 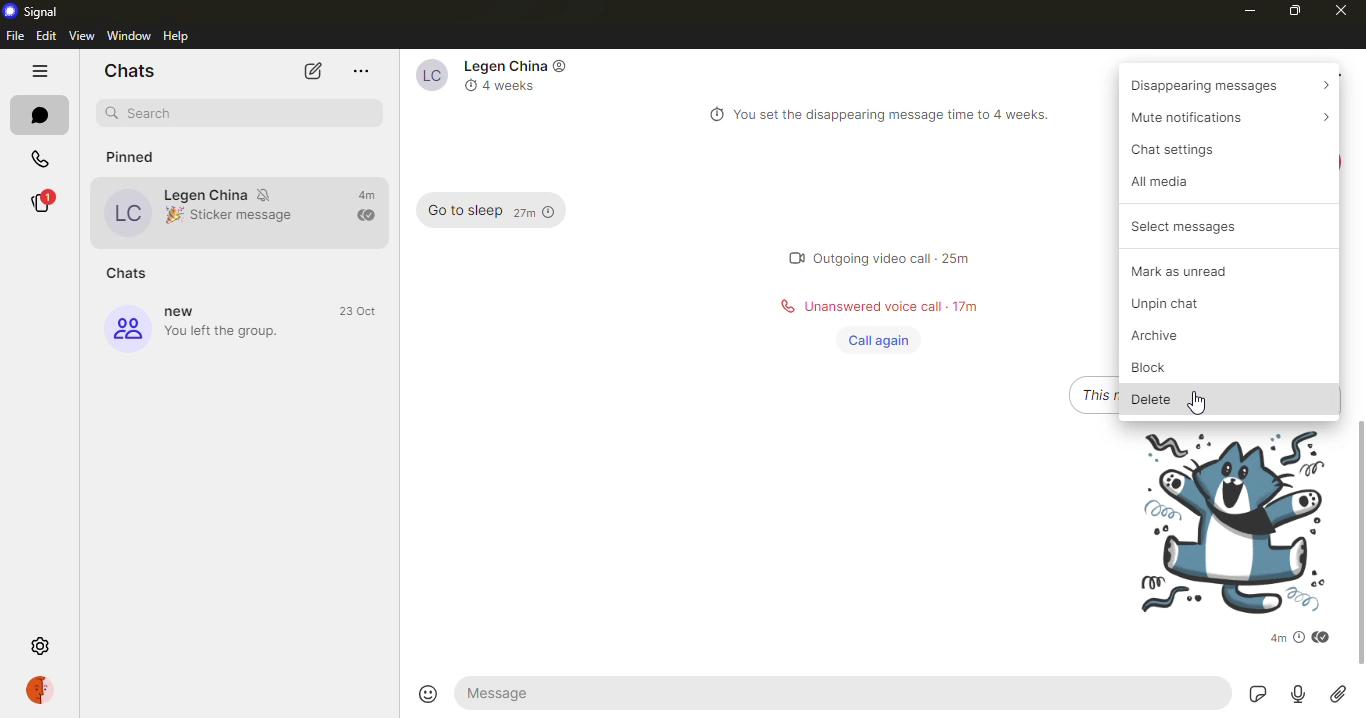 I want to click on Sticker message, so click(x=248, y=214).